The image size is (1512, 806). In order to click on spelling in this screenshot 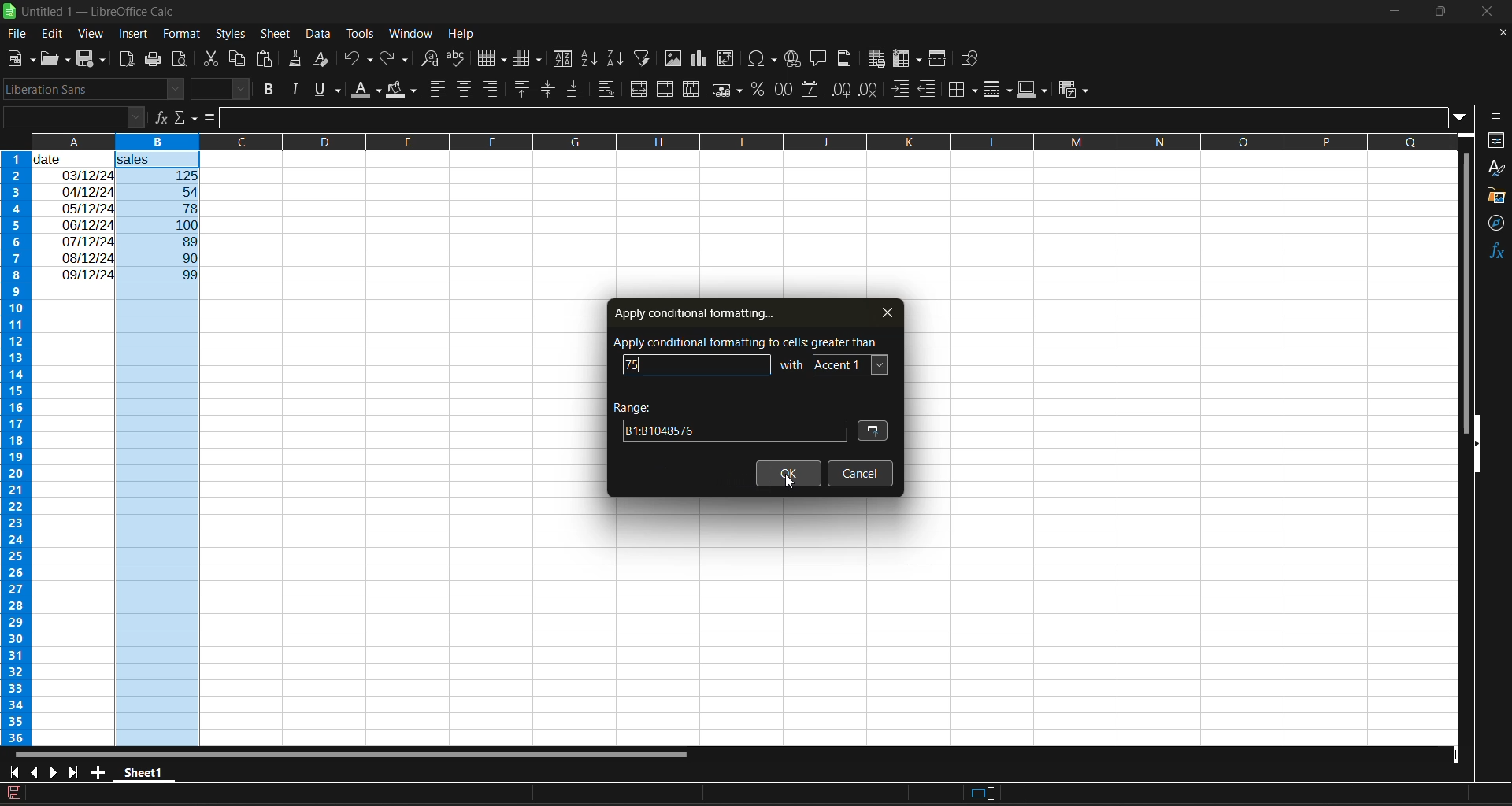, I will do `click(458, 58)`.